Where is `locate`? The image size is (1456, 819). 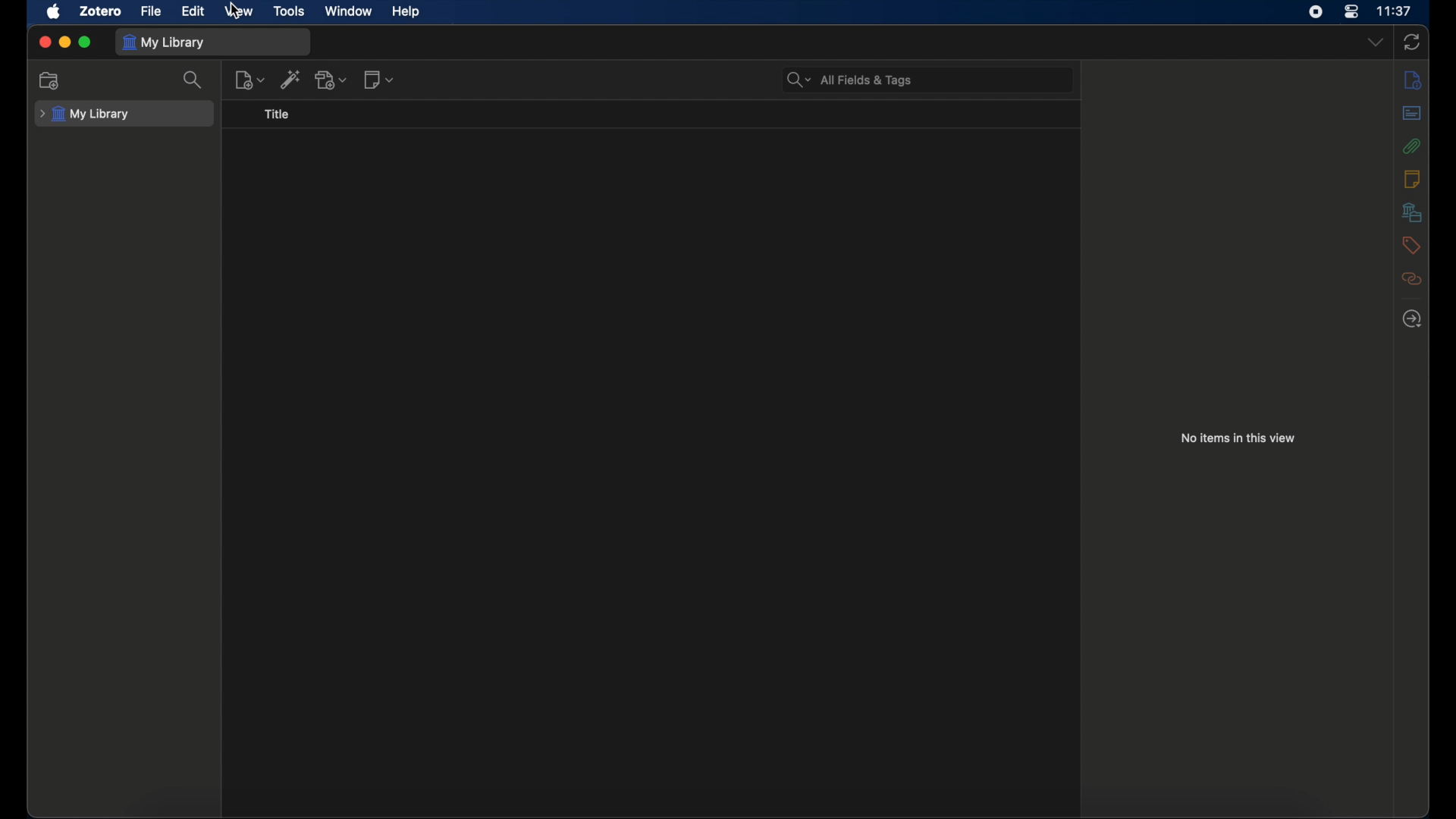 locate is located at coordinates (1411, 318).